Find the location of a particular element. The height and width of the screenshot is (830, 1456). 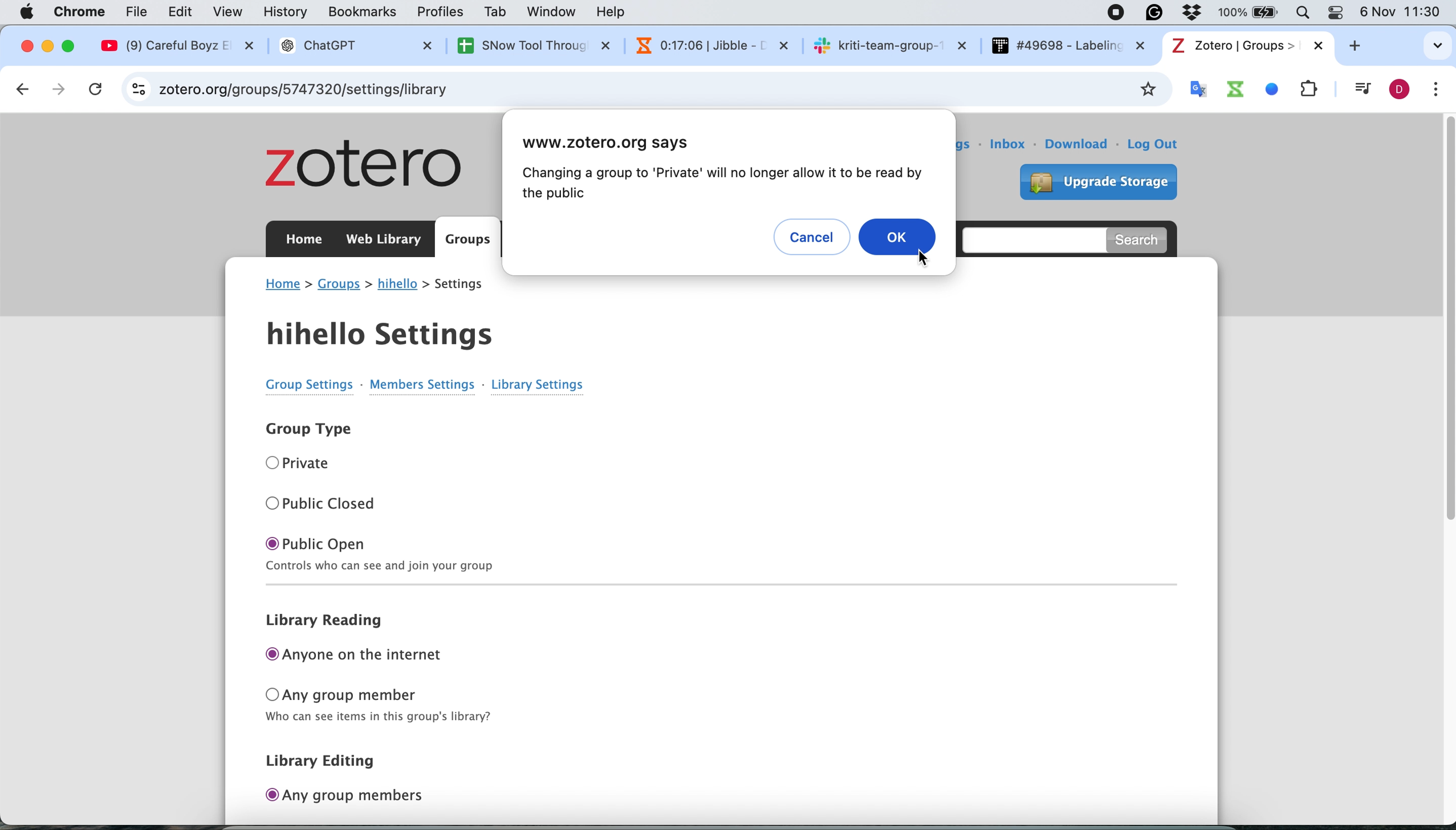

zotero.org/groups/5747320/hihello is located at coordinates (320, 90).